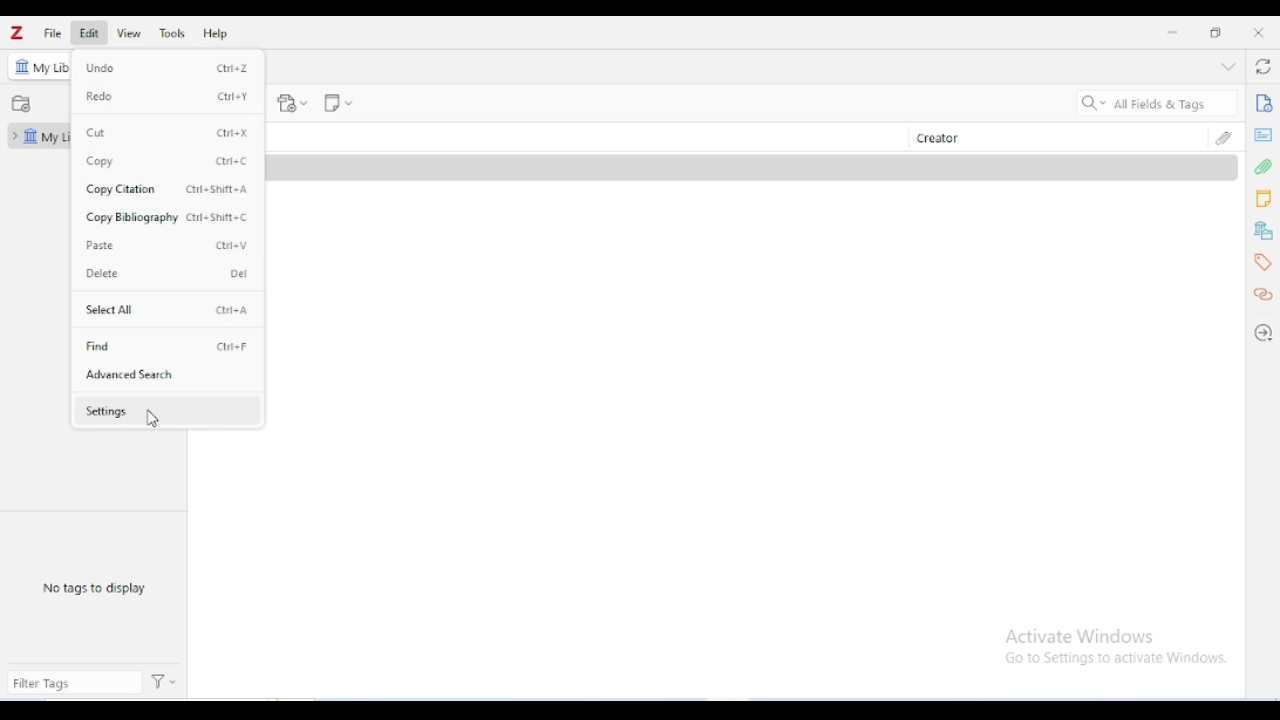  What do you see at coordinates (133, 217) in the screenshot?
I see `copy bibliography` at bounding box center [133, 217].